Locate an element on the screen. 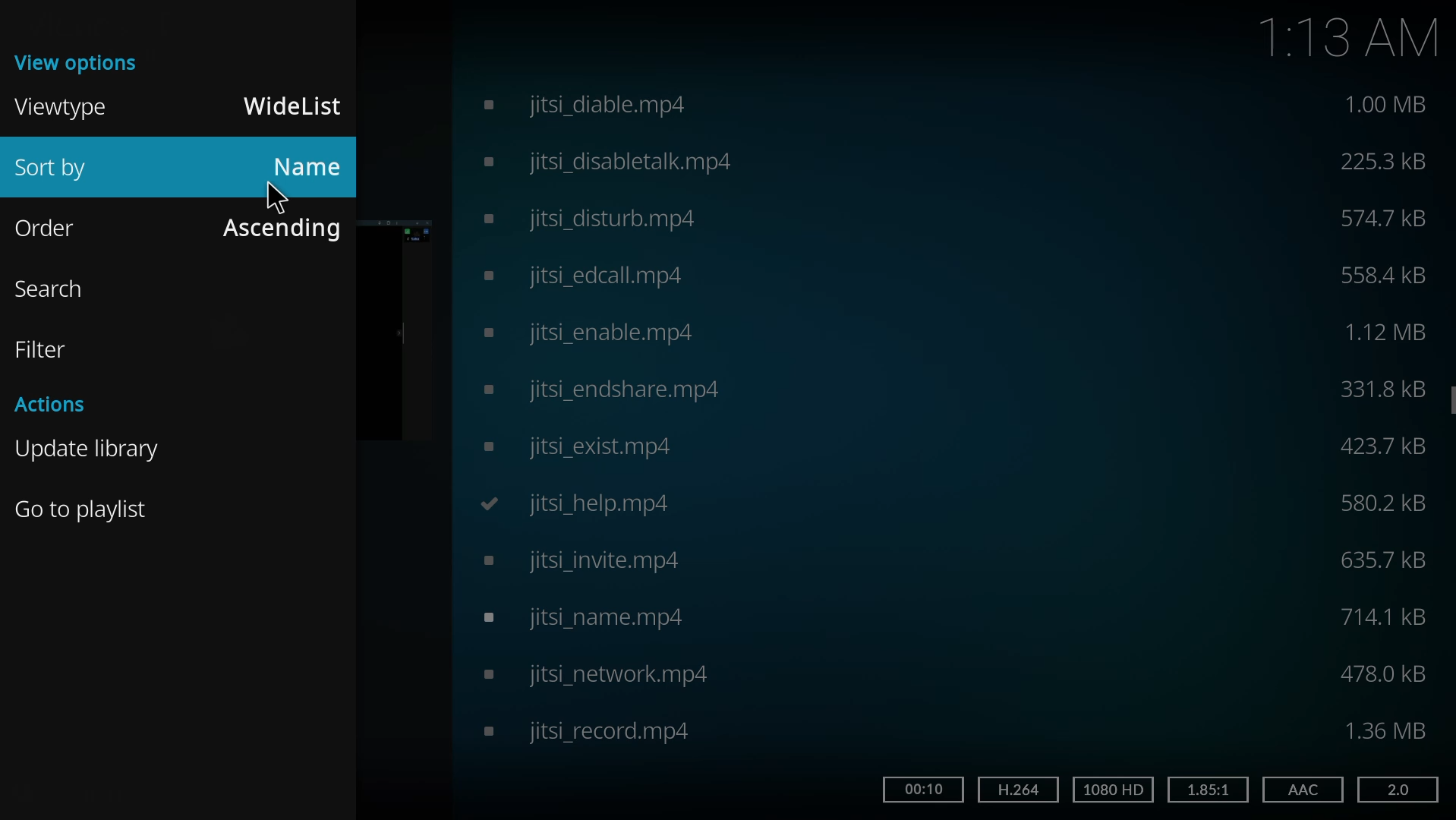 This screenshot has height=820, width=1456. size is located at coordinates (1387, 557).